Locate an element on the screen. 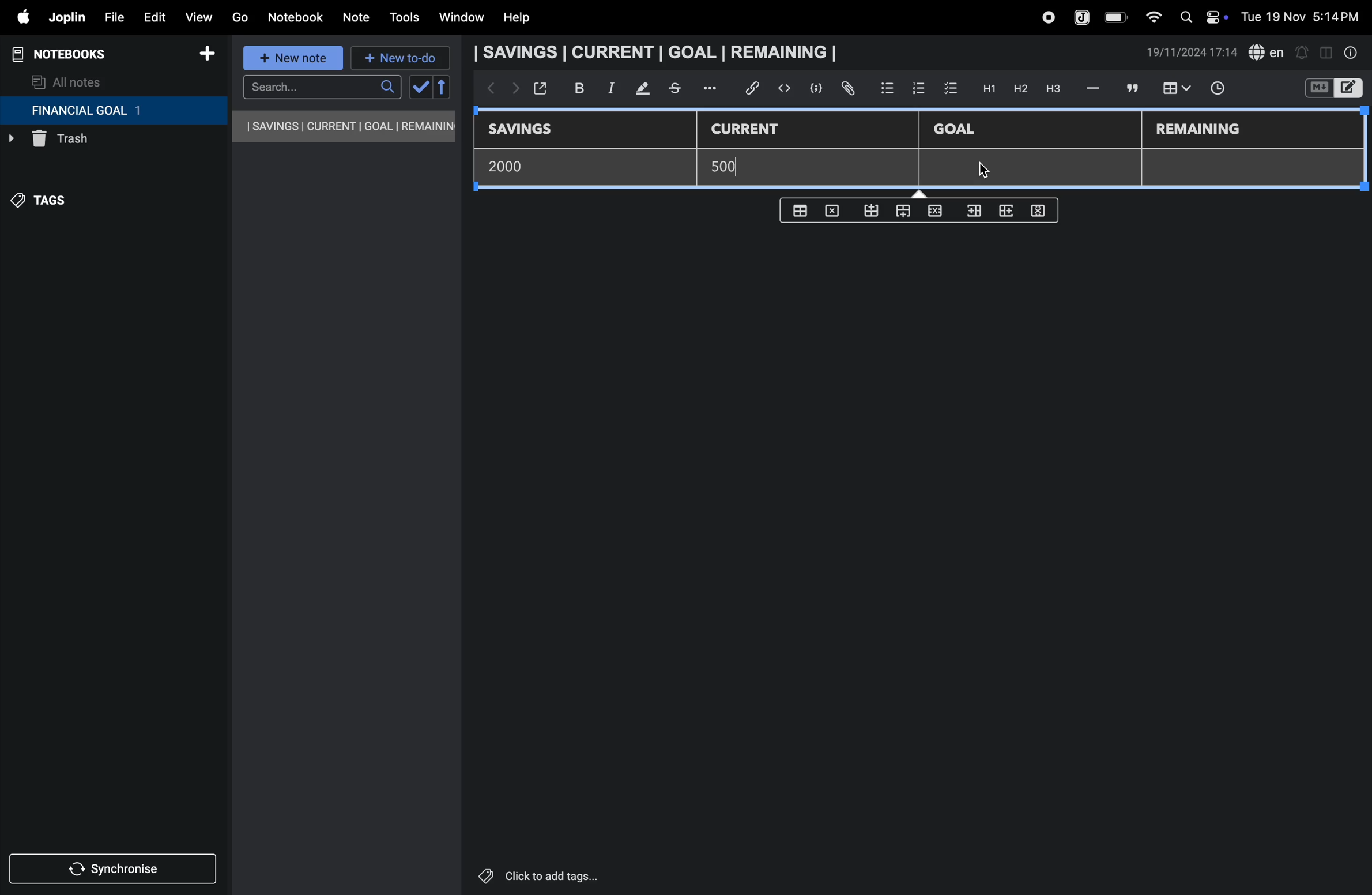  options is located at coordinates (712, 88).